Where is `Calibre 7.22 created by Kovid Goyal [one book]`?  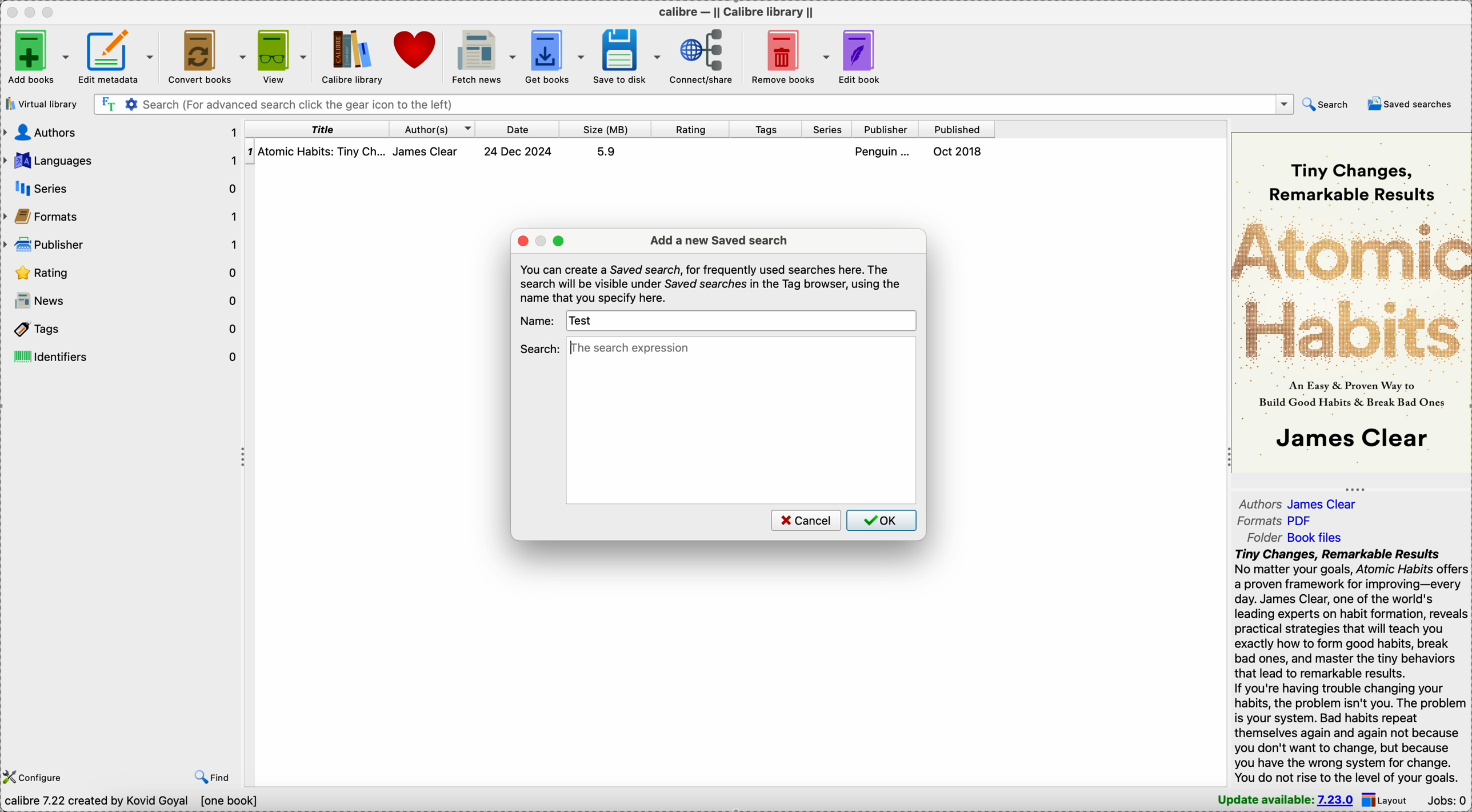 Calibre 7.22 created by Kovid Goyal [one book] is located at coordinates (133, 801).